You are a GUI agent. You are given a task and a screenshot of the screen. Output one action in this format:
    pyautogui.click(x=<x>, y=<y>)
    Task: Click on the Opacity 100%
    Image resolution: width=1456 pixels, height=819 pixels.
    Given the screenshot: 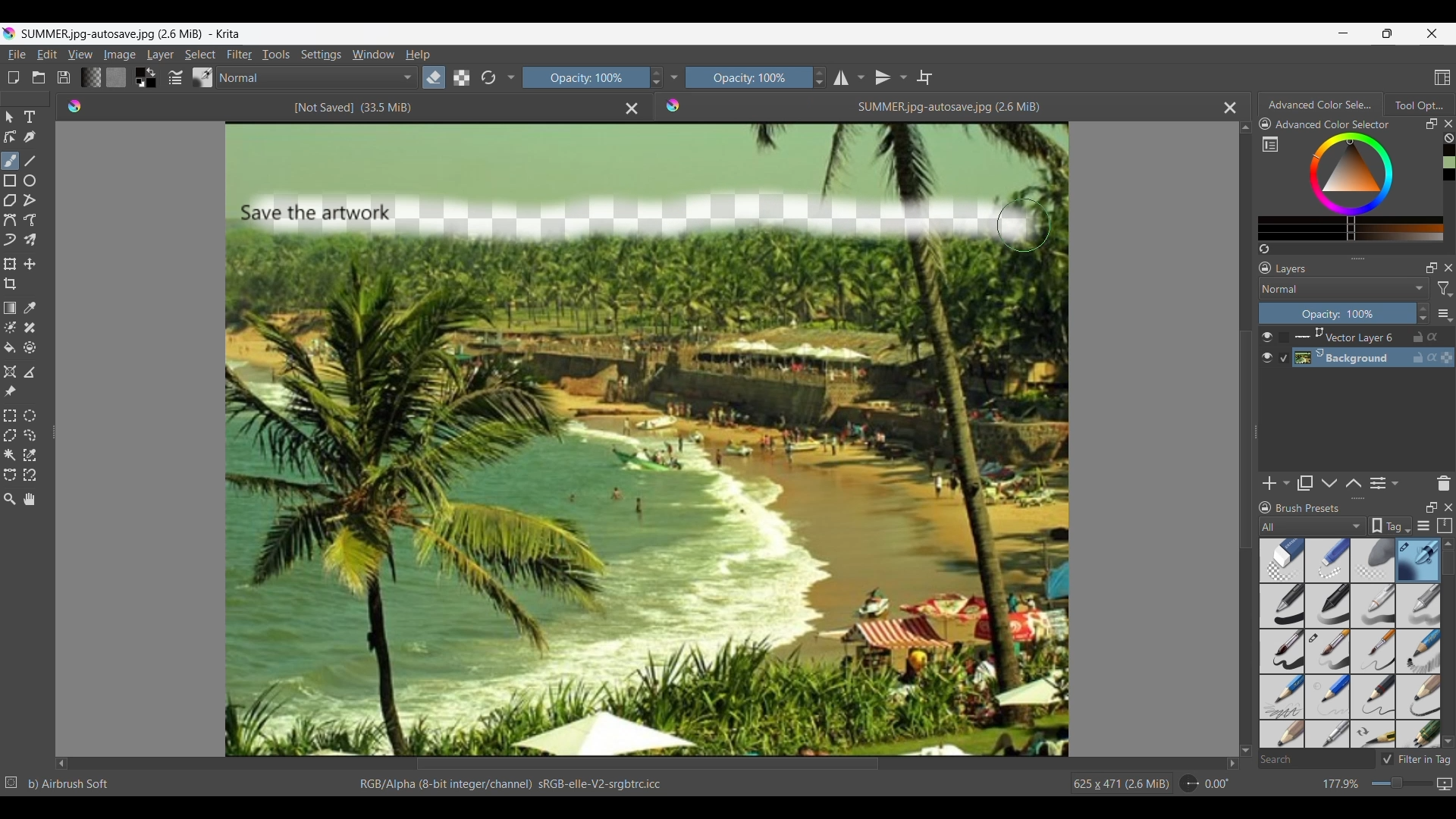 What is the action you would take?
    pyautogui.click(x=749, y=77)
    